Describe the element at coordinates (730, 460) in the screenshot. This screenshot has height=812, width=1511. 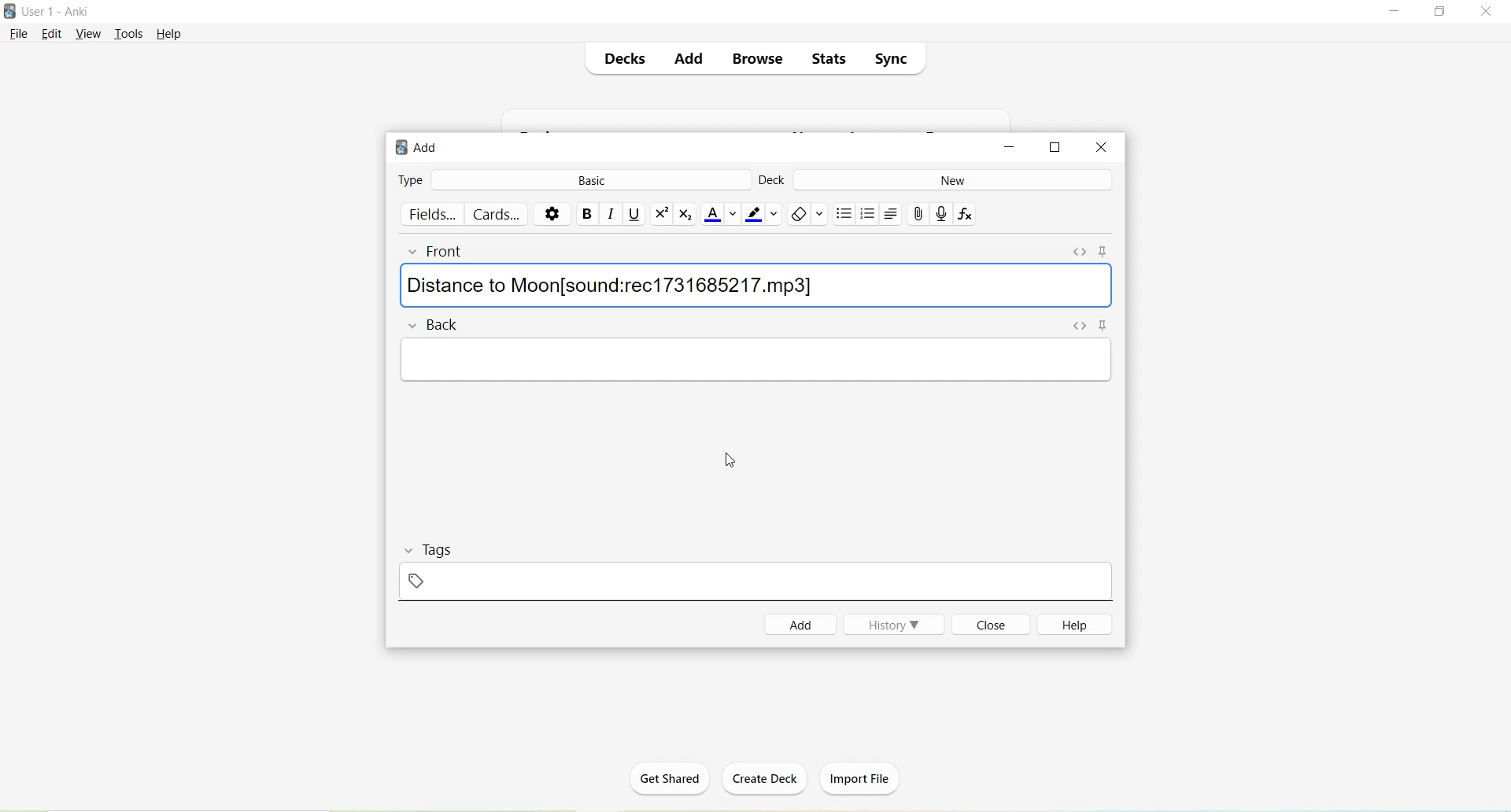
I see `cursor` at that location.